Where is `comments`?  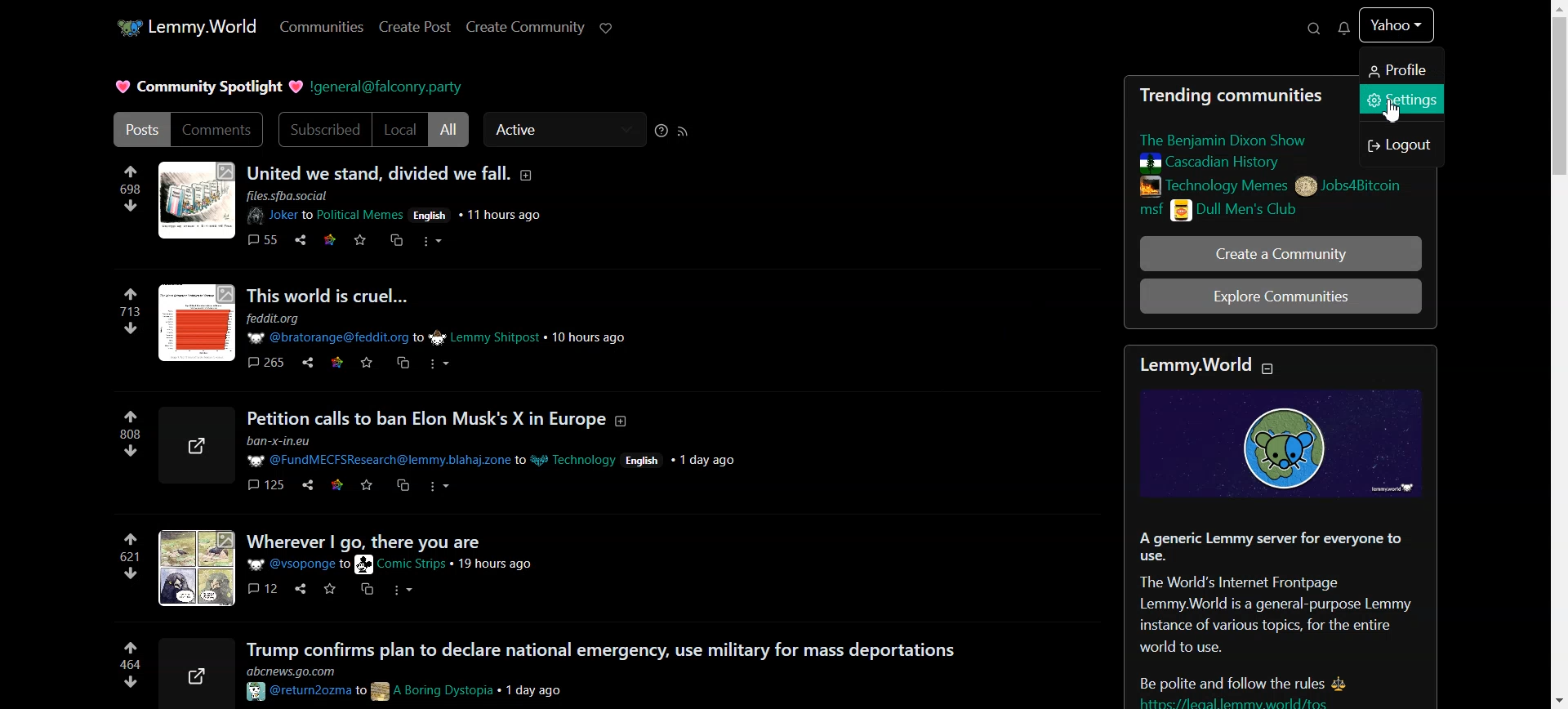
comments is located at coordinates (257, 239).